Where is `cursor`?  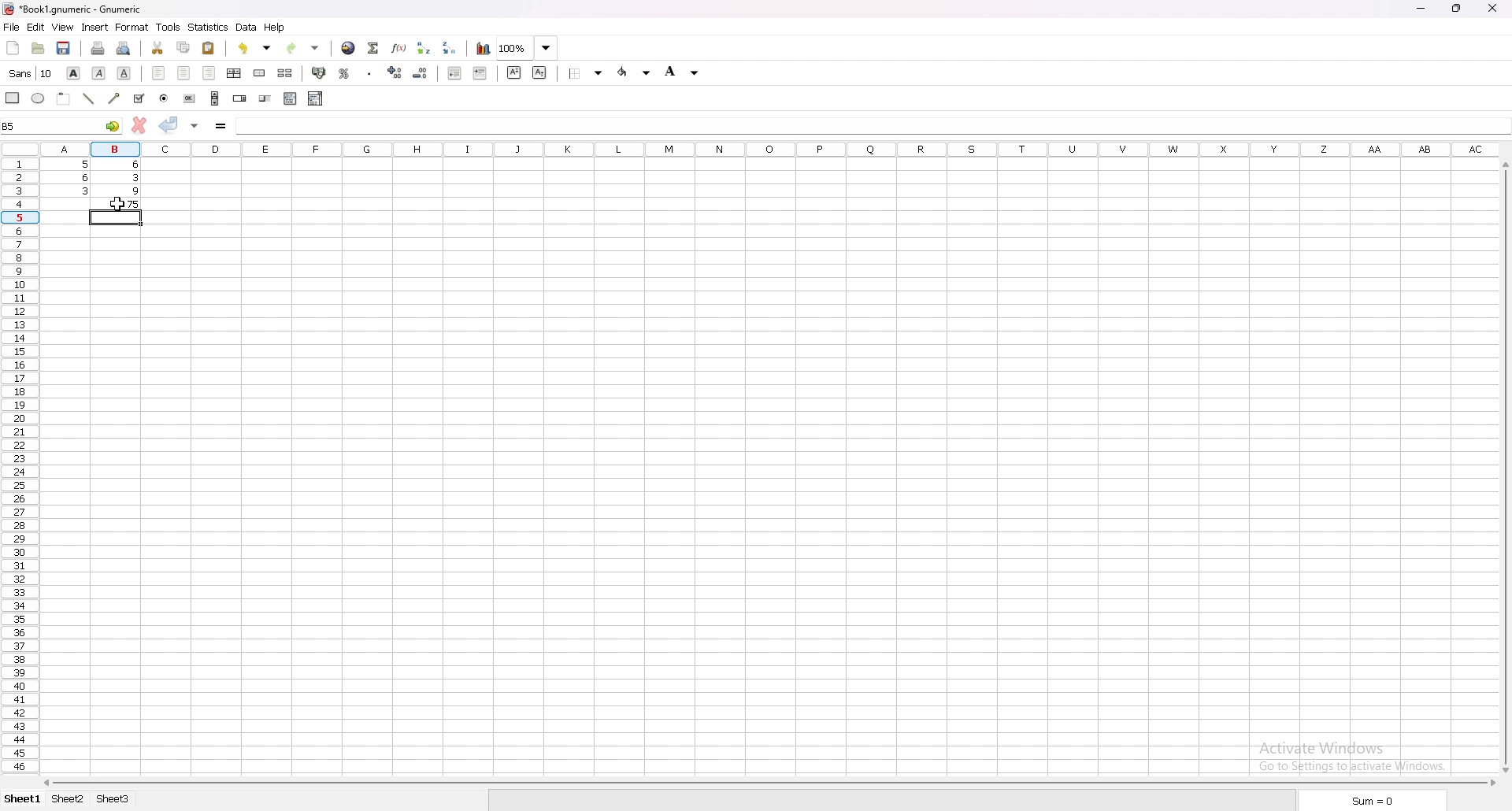 cursor is located at coordinates (119, 204).